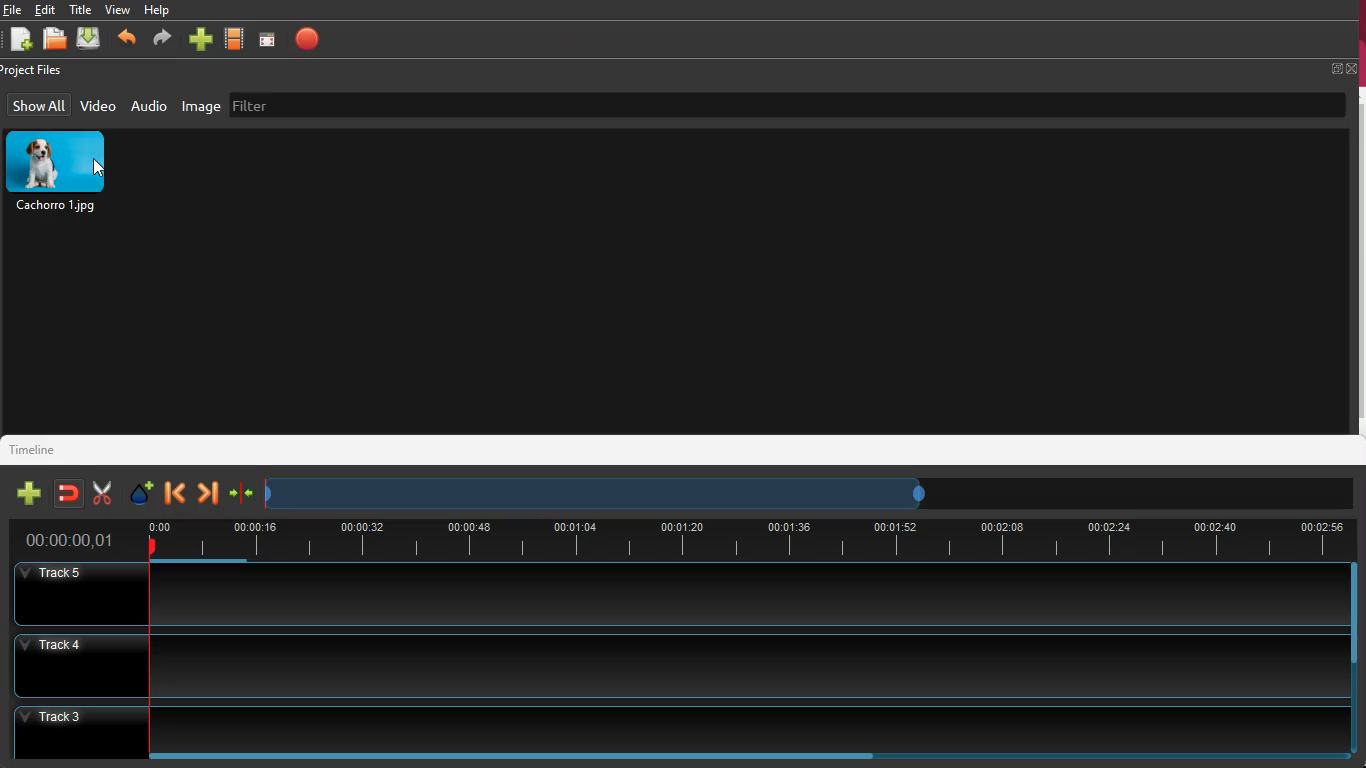  Describe the element at coordinates (55, 39) in the screenshot. I see `open files` at that location.